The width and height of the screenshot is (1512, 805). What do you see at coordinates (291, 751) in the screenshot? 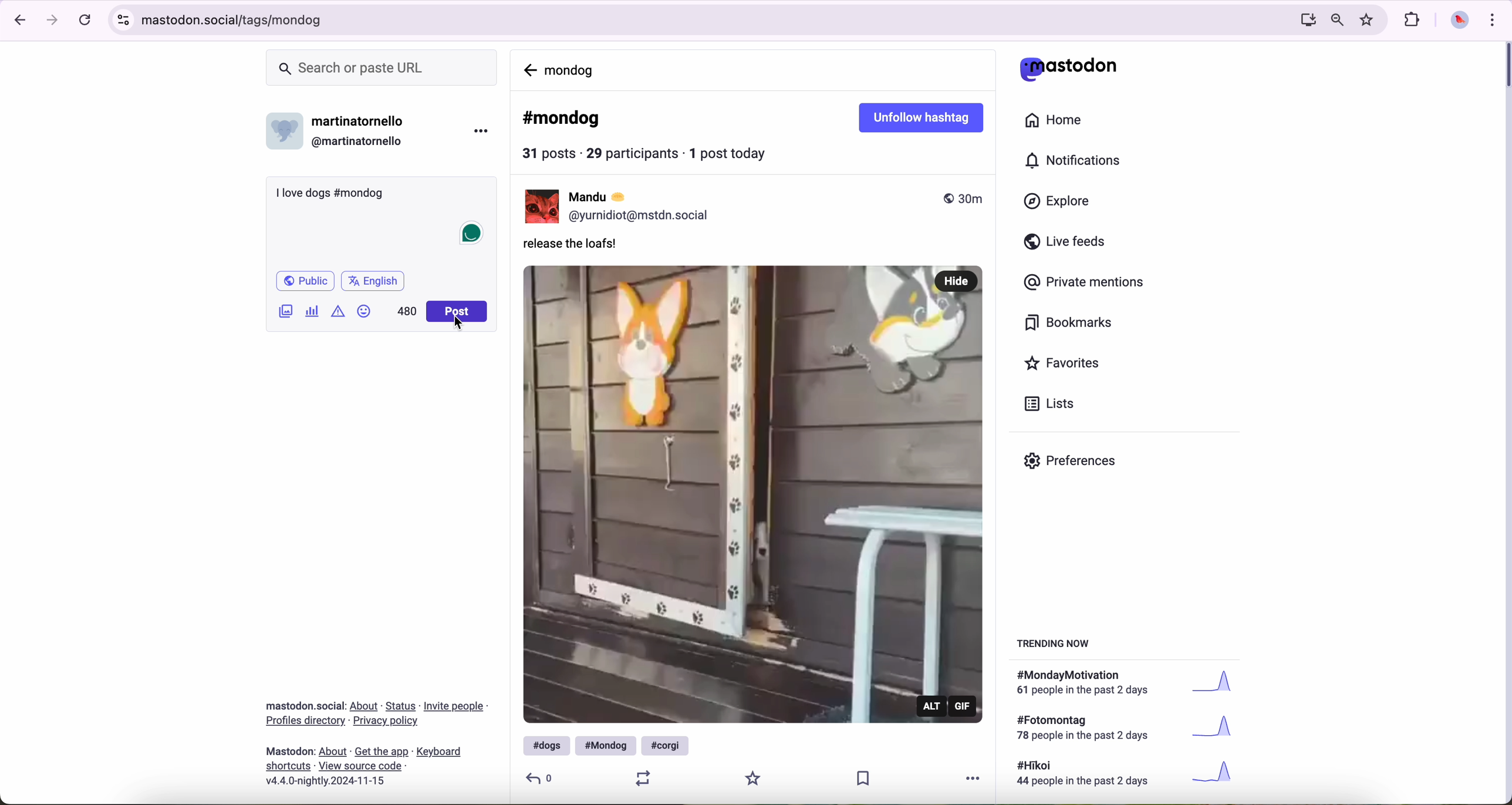
I see `mastodon` at bounding box center [291, 751].